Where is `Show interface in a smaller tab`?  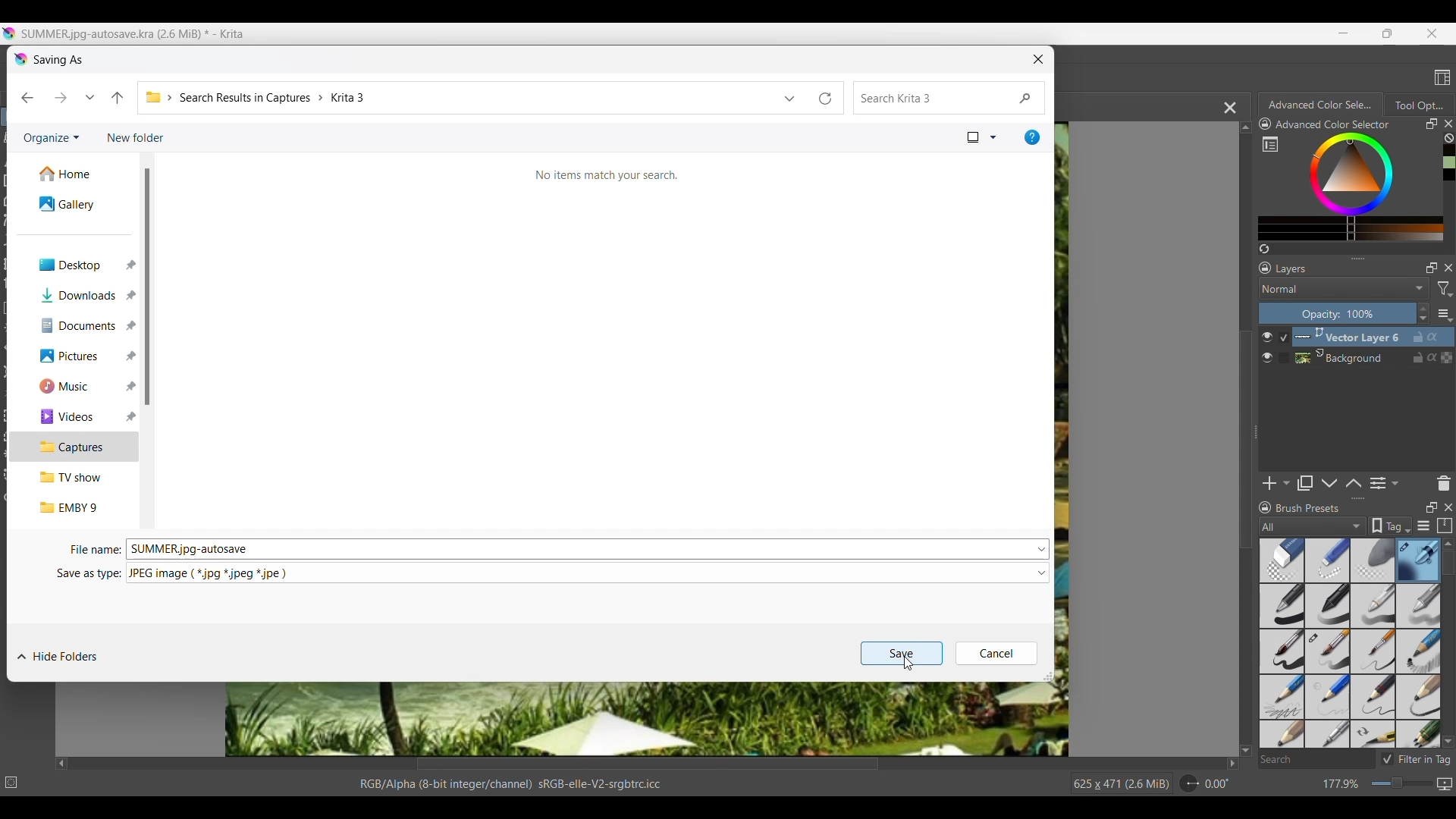 Show interface in a smaller tab is located at coordinates (1388, 33).